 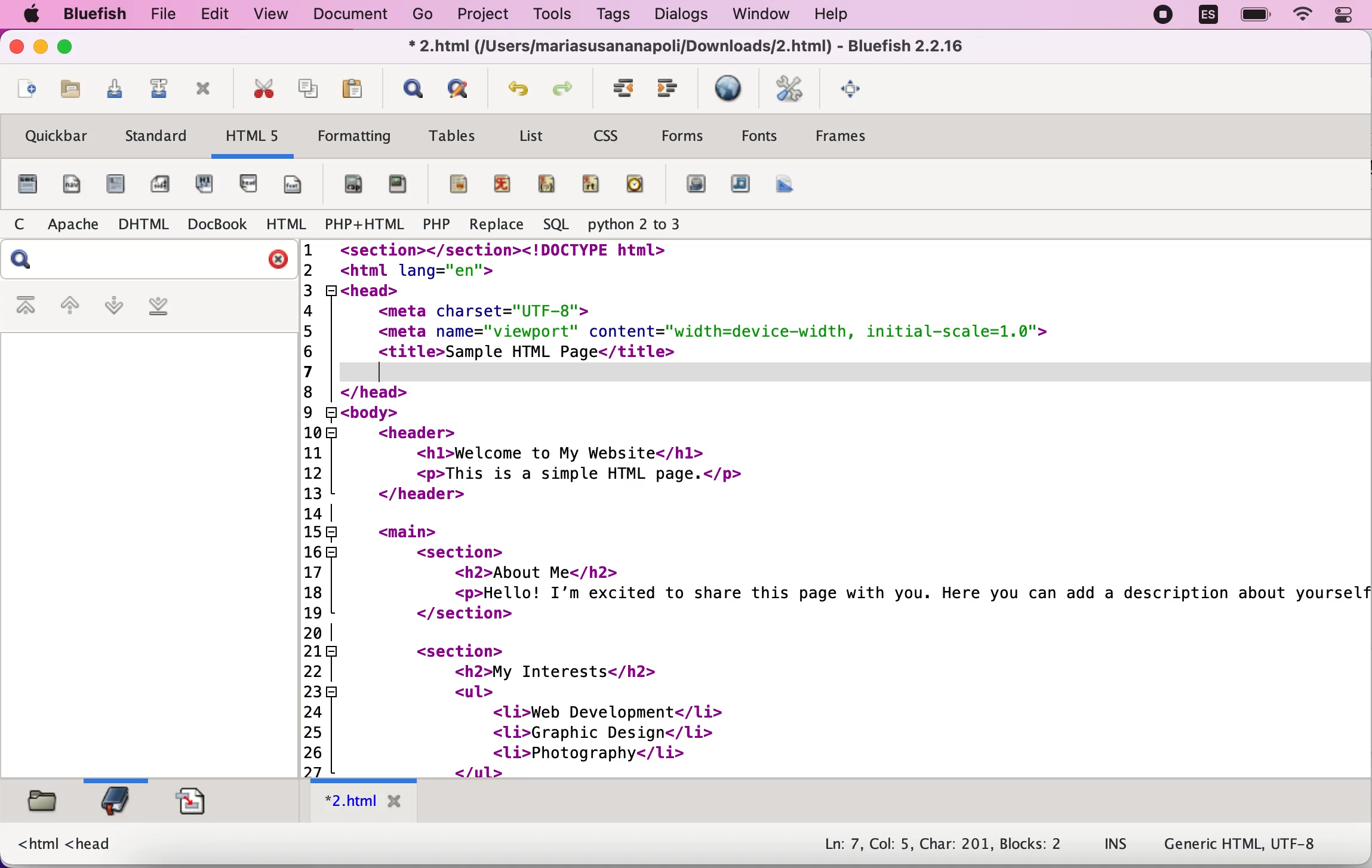 What do you see at coordinates (1210, 14) in the screenshot?
I see `language` at bounding box center [1210, 14].